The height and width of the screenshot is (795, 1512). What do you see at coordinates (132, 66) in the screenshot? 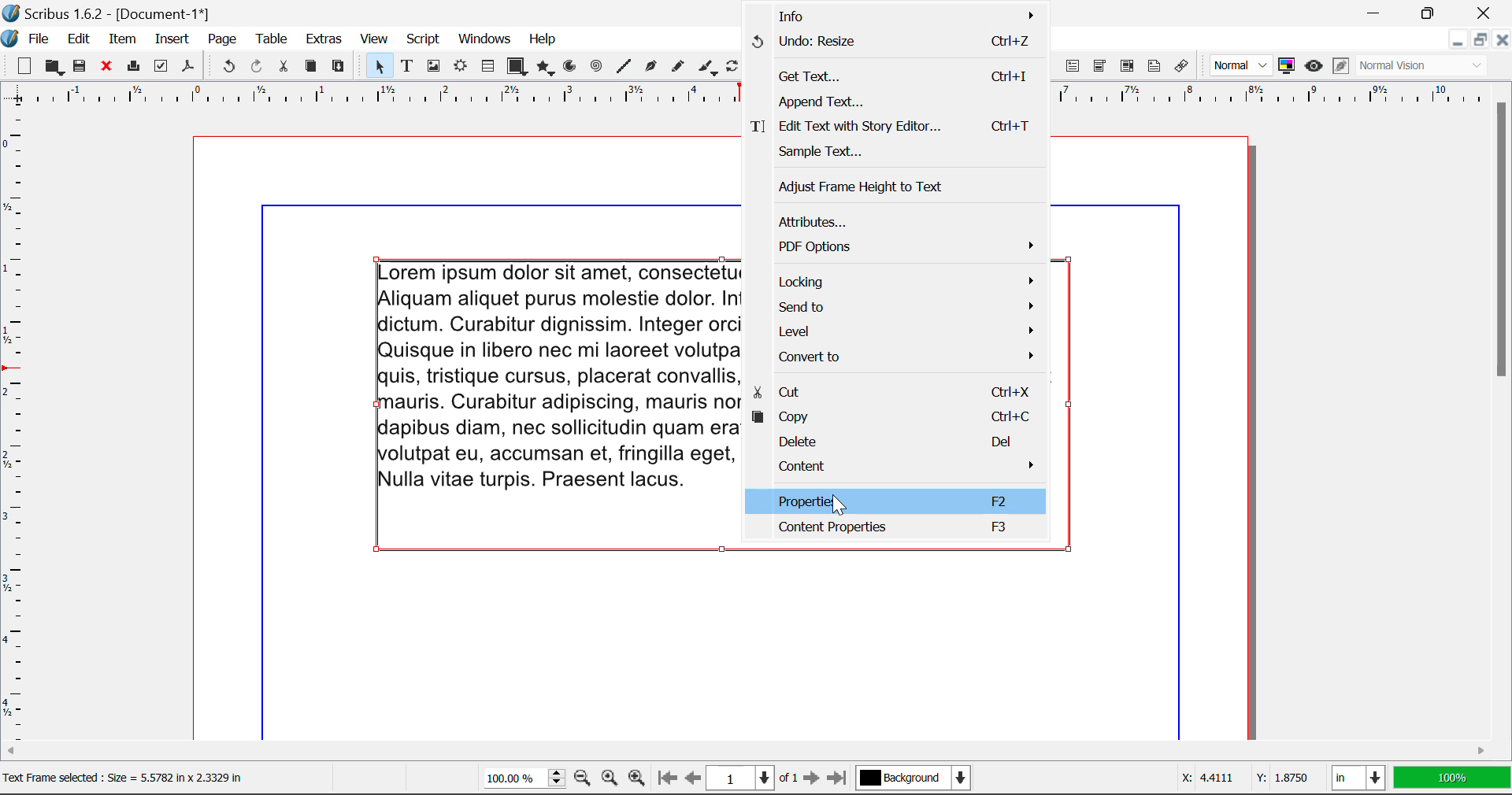
I see `Print` at bounding box center [132, 66].